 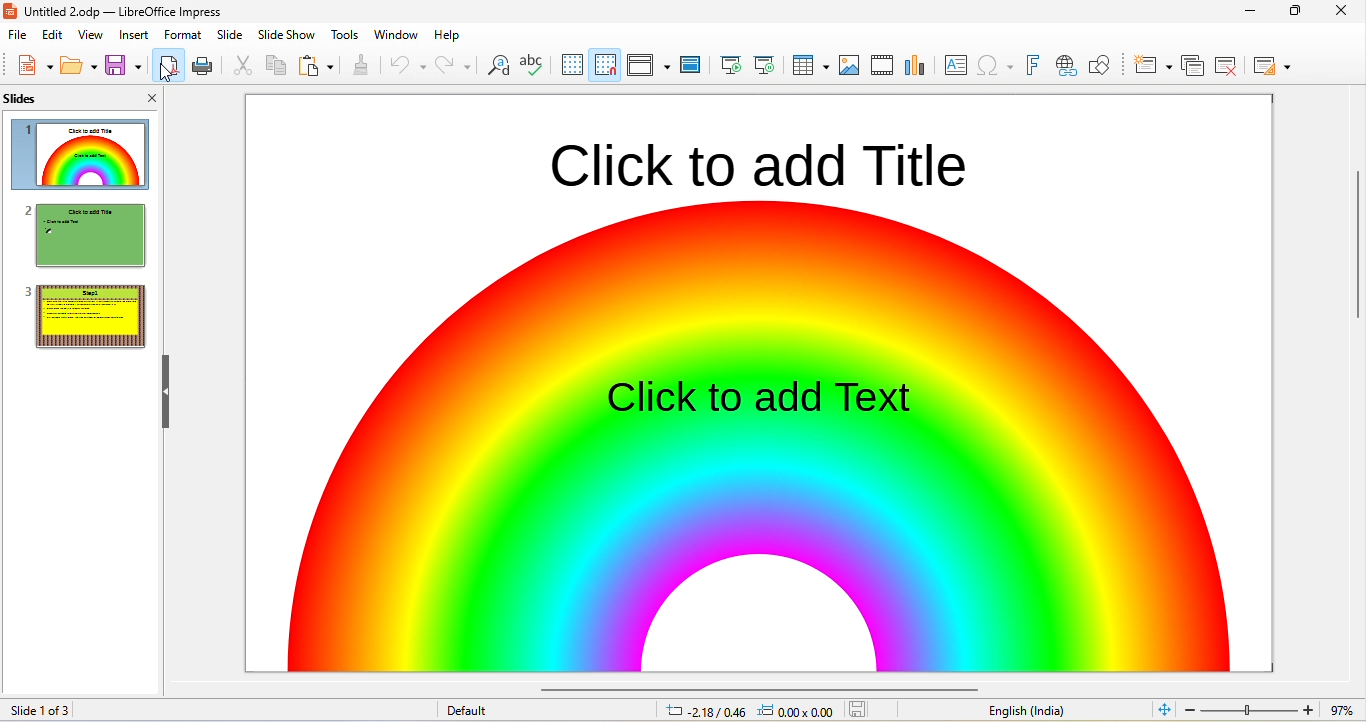 What do you see at coordinates (1101, 66) in the screenshot?
I see `show draw functions` at bounding box center [1101, 66].